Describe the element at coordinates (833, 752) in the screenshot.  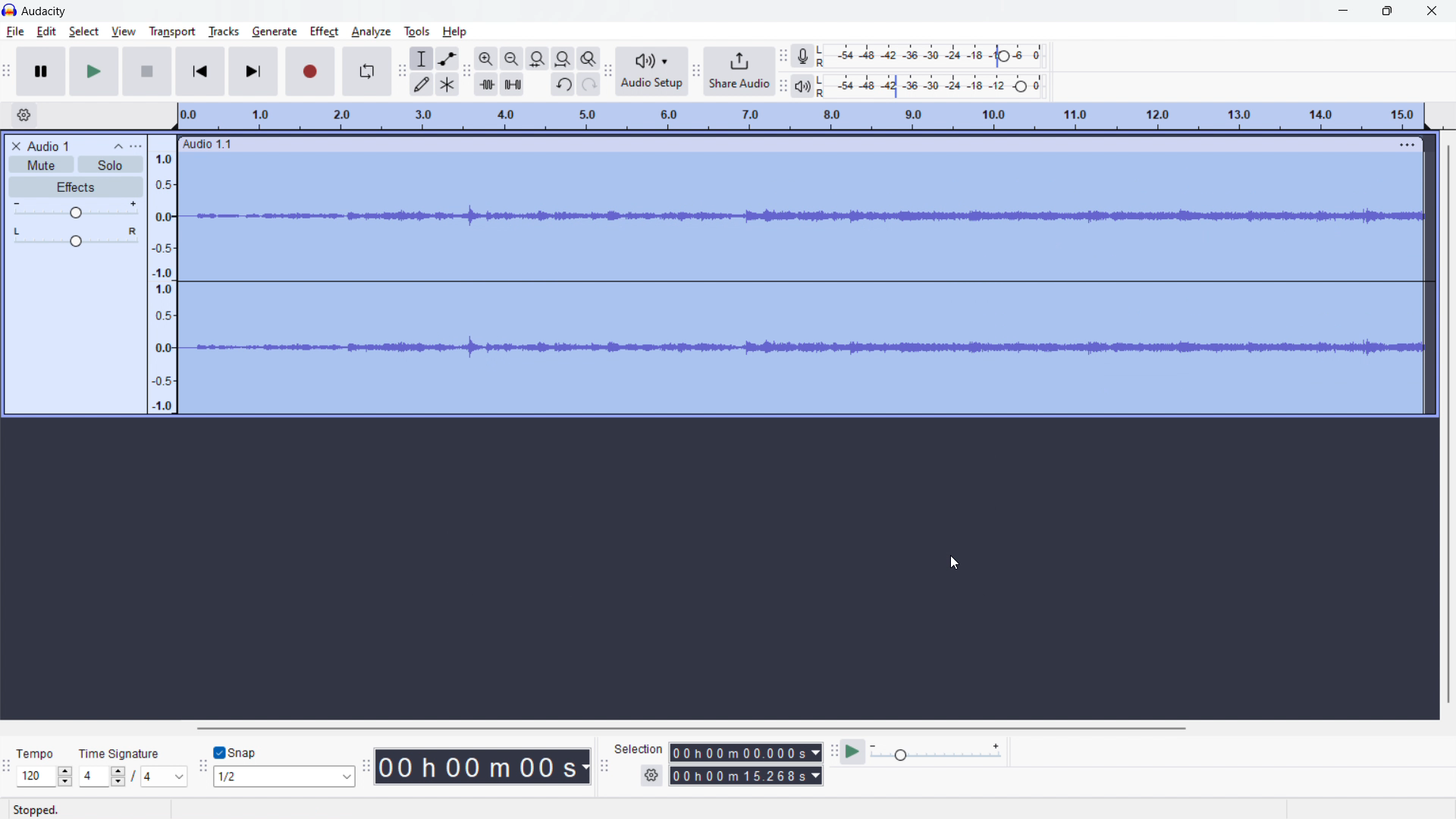
I see `play at speed toolbar` at that location.